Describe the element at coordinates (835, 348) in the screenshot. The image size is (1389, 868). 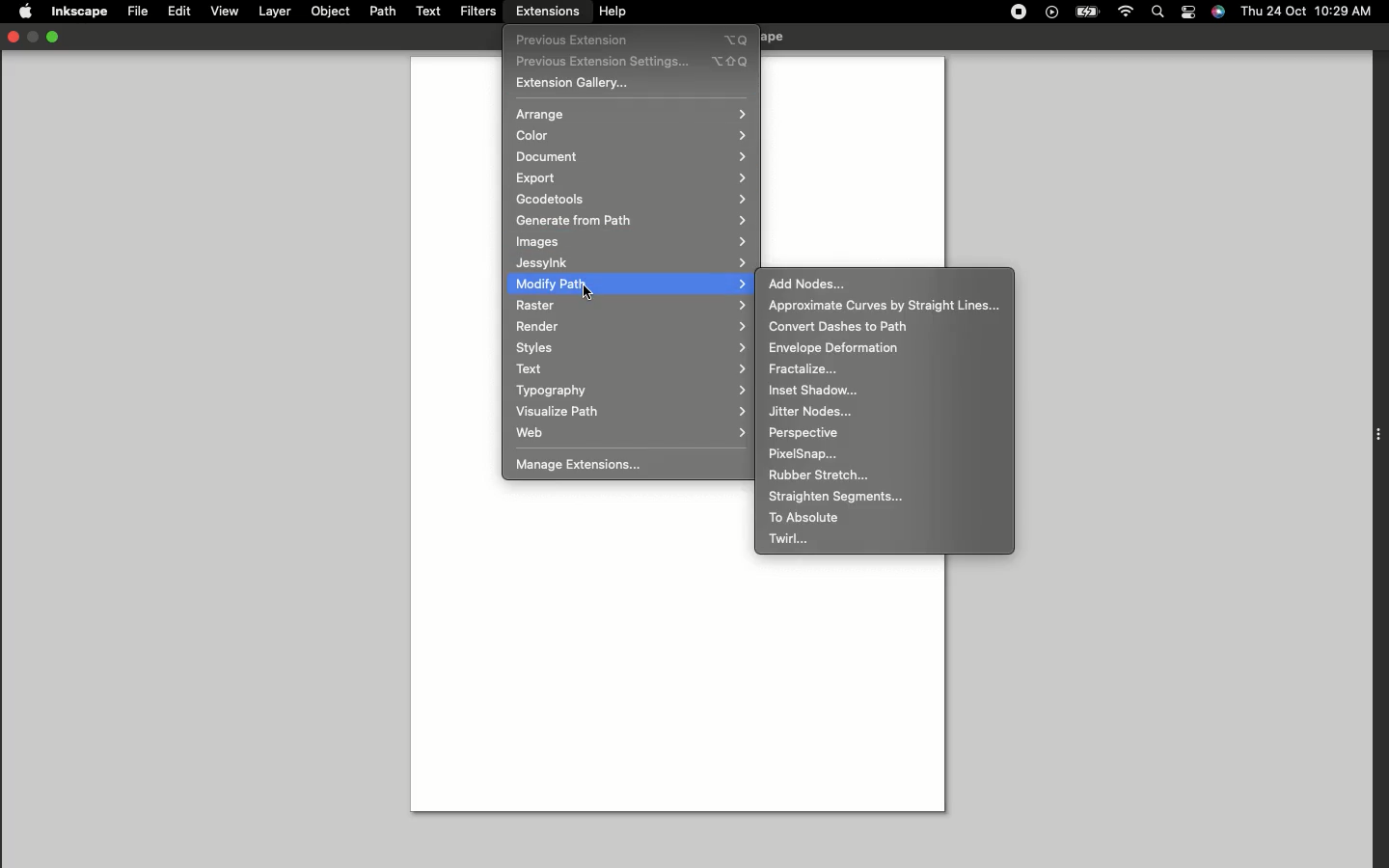
I see `Envelope deformation` at that location.